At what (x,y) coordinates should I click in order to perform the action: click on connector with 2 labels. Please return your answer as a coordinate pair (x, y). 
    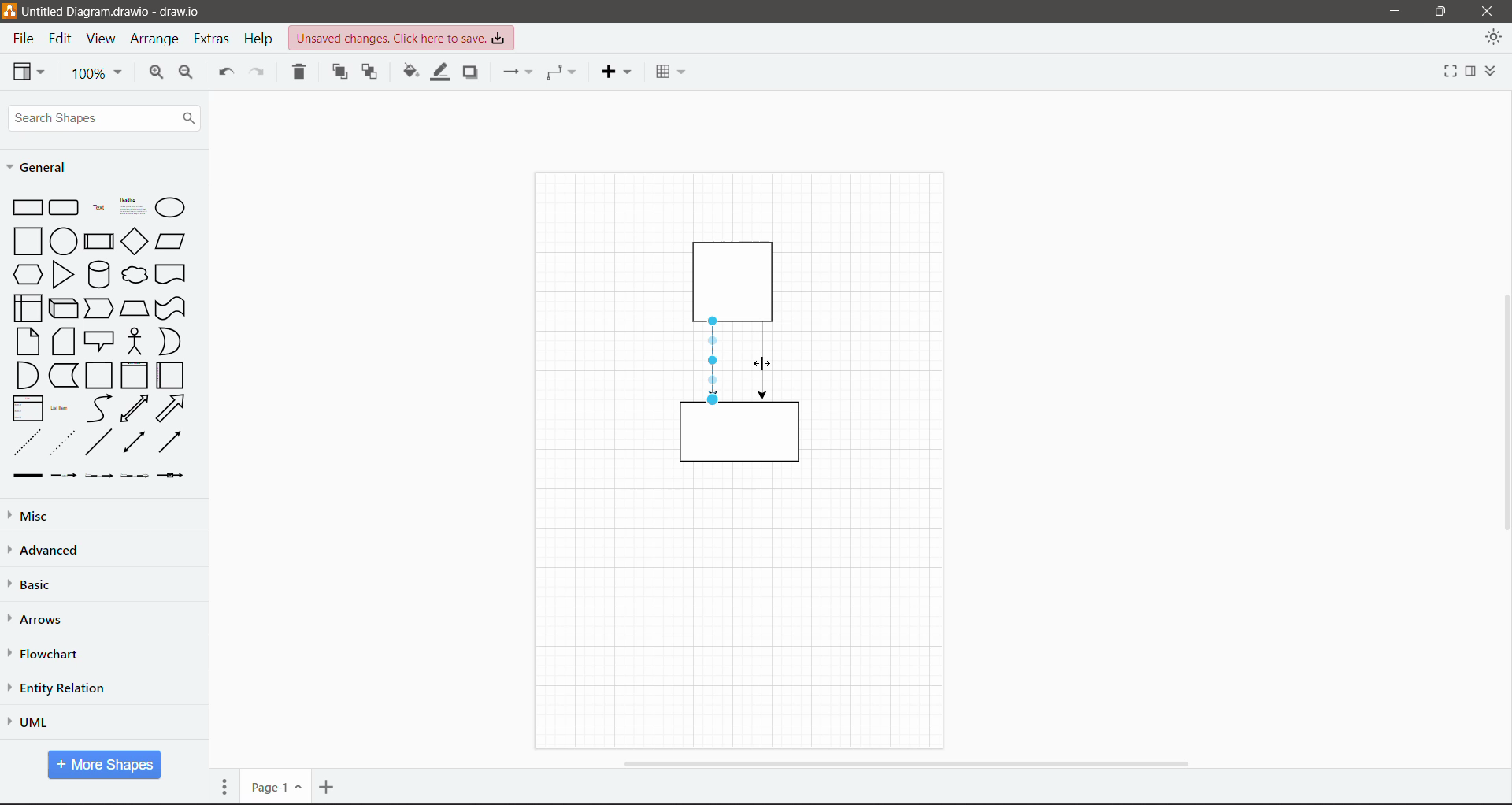
    Looking at the image, I should click on (99, 476).